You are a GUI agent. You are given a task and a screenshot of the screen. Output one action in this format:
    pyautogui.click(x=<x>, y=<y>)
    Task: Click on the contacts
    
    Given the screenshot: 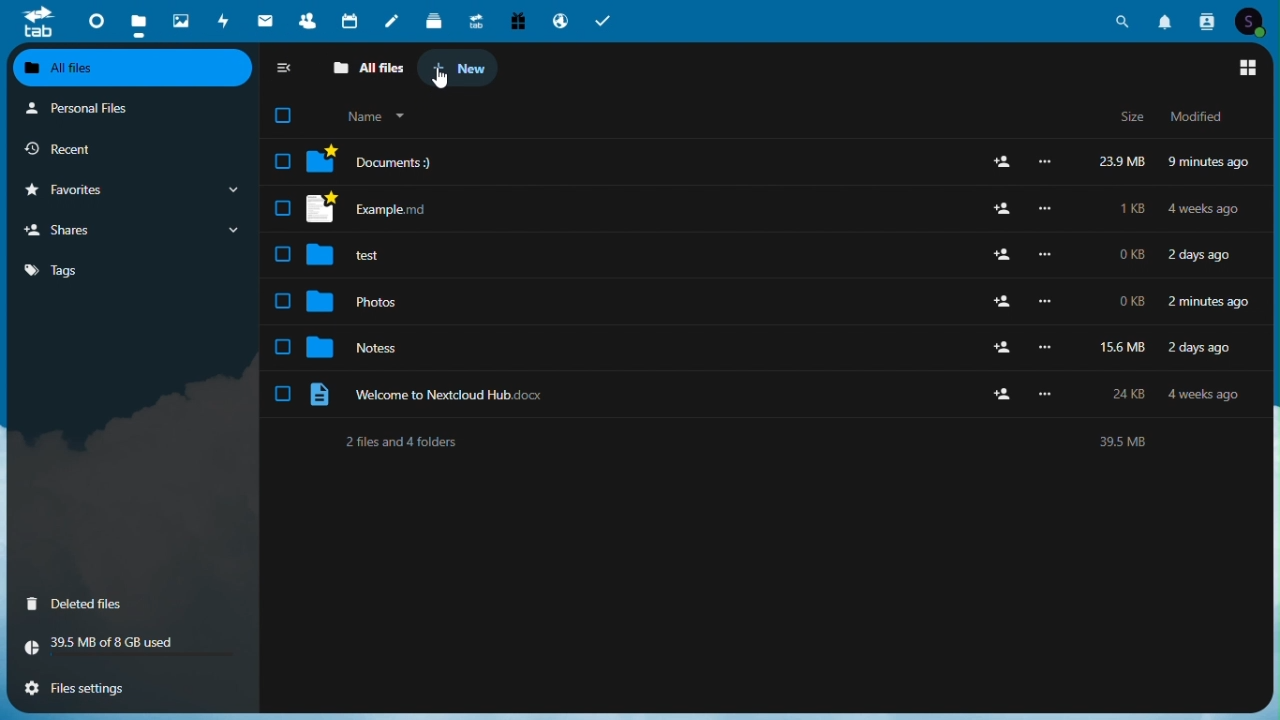 What is the action you would take?
    pyautogui.click(x=1210, y=19)
    